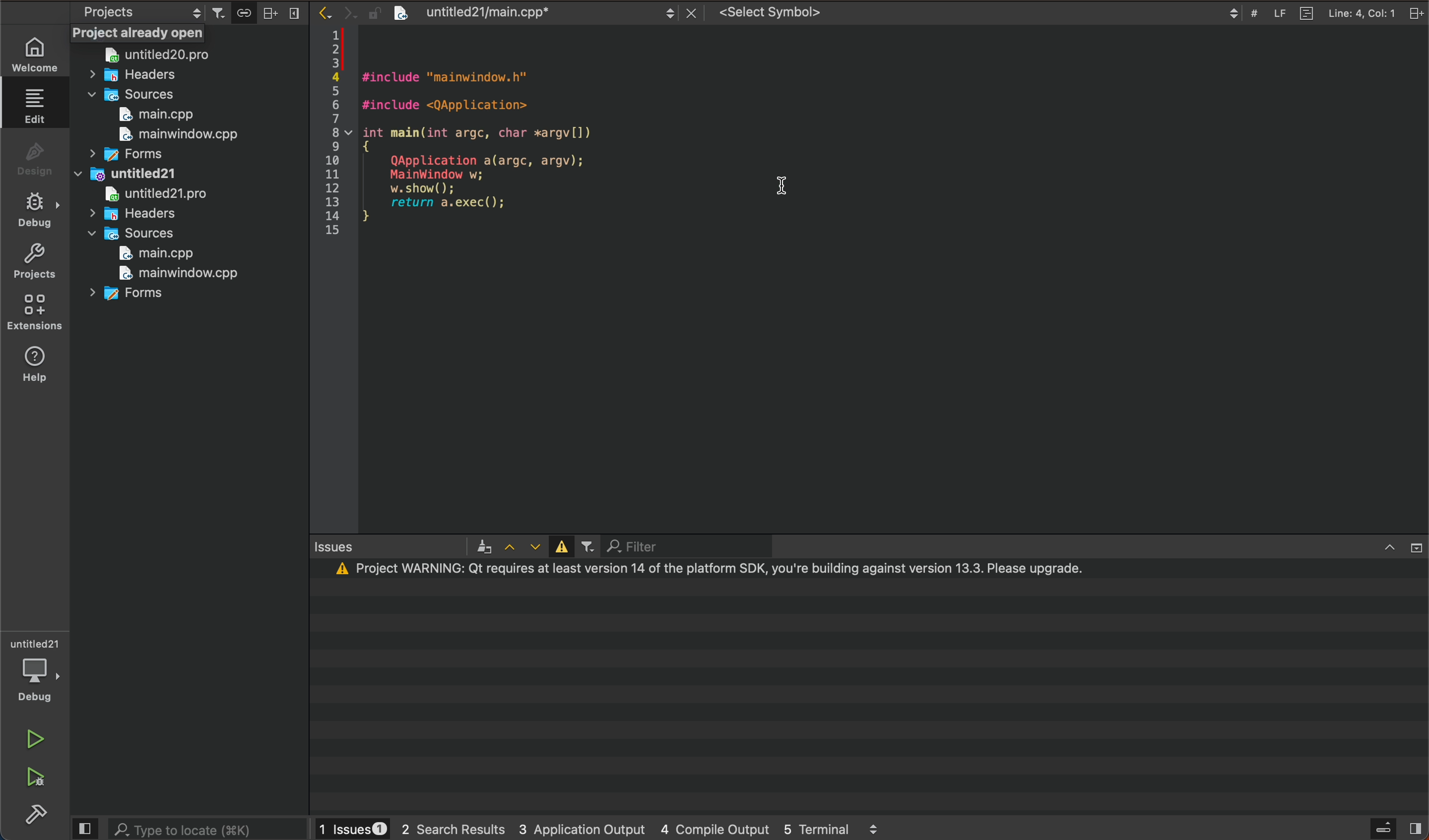  Describe the element at coordinates (37, 641) in the screenshot. I see `untitled` at that location.